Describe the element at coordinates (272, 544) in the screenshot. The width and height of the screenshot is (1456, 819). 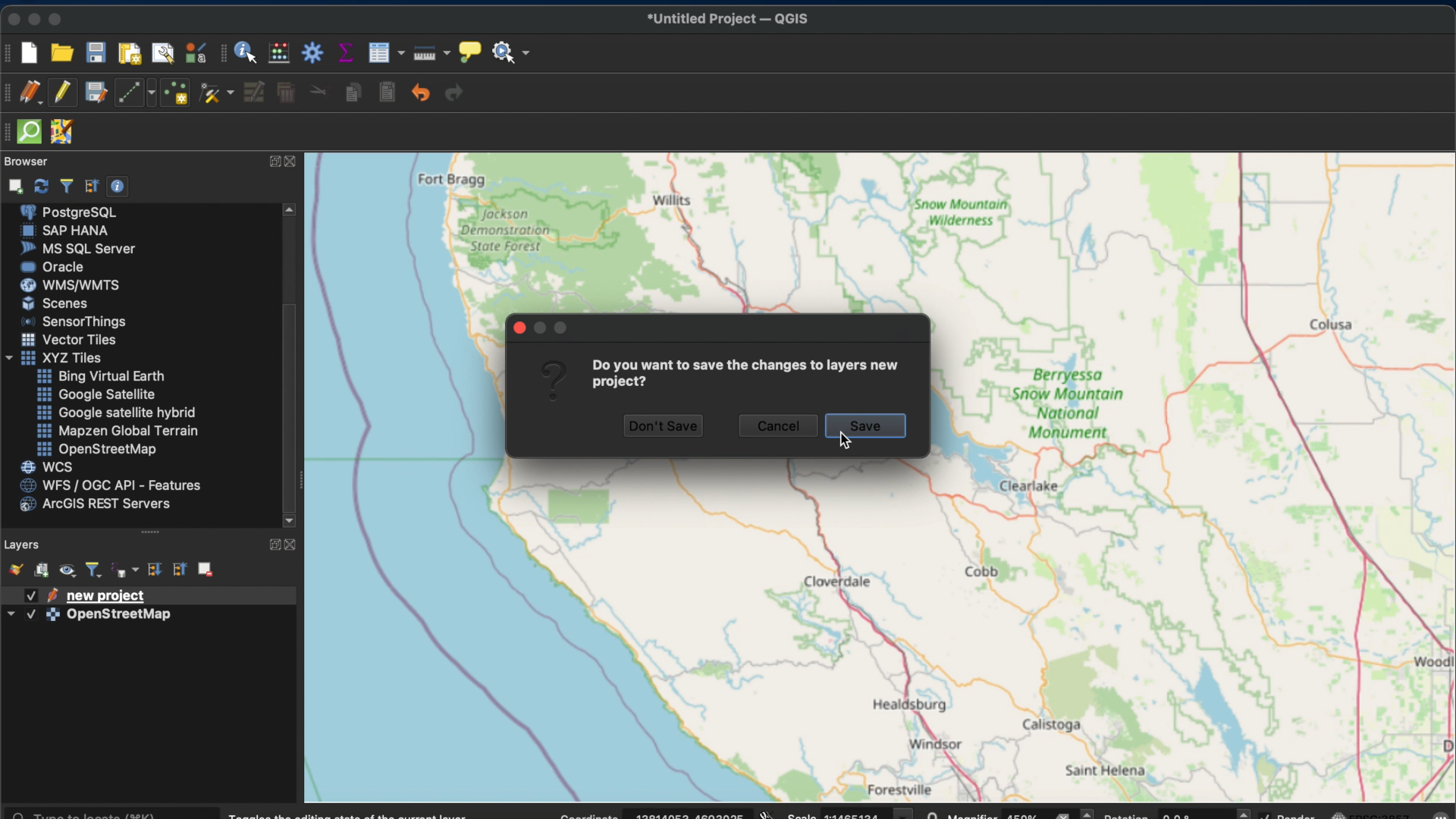
I see `expand` at that location.